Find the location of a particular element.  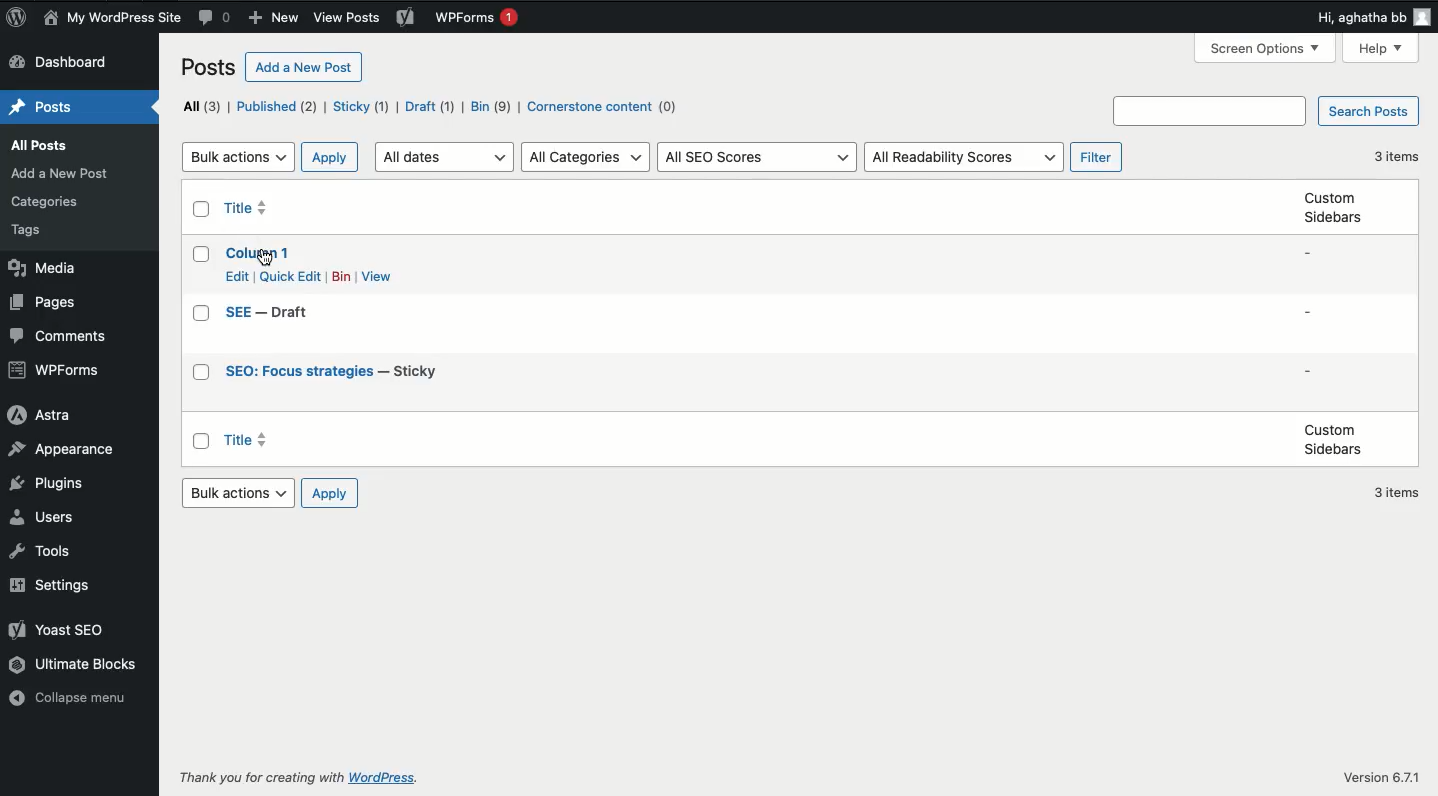

Screen options is located at coordinates (1268, 48).